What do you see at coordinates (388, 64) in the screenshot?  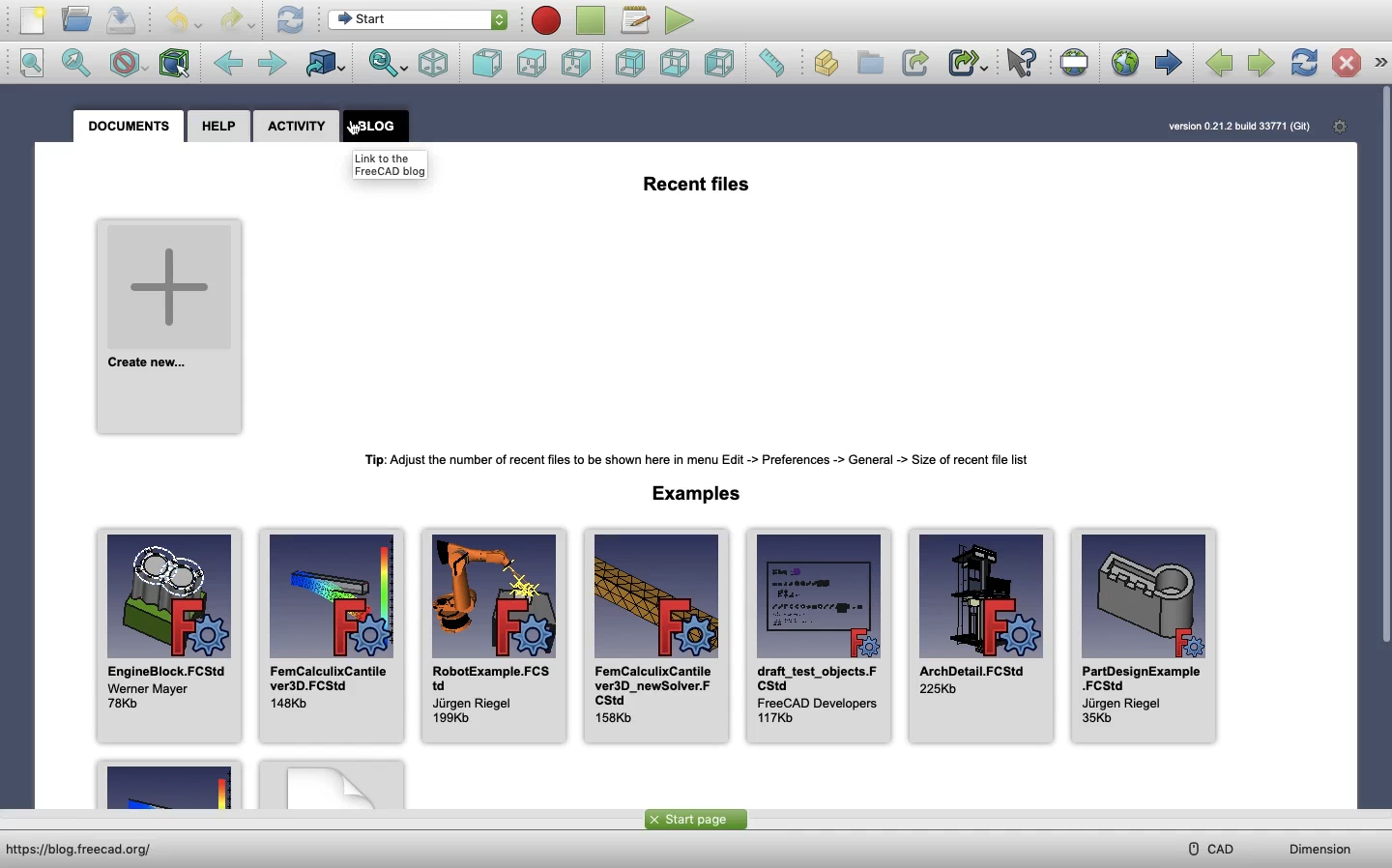 I see `Fit Selection` at bounding box center [388, 64].